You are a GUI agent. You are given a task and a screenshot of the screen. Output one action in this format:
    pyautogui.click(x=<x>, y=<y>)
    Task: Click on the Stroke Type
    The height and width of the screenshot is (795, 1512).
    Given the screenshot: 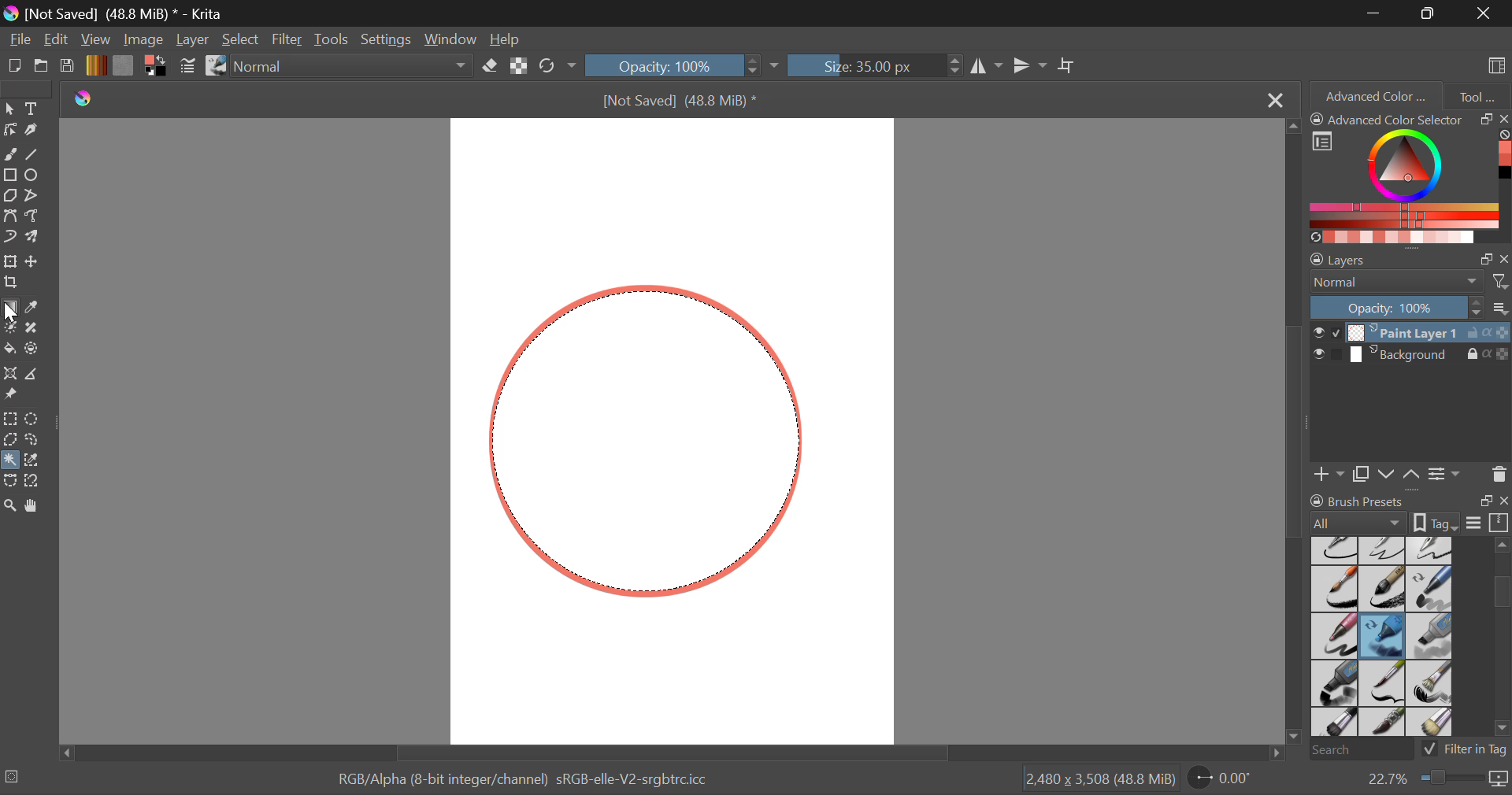 What is the action you would take?
    pyautogui.click(x=215, y=67)
    